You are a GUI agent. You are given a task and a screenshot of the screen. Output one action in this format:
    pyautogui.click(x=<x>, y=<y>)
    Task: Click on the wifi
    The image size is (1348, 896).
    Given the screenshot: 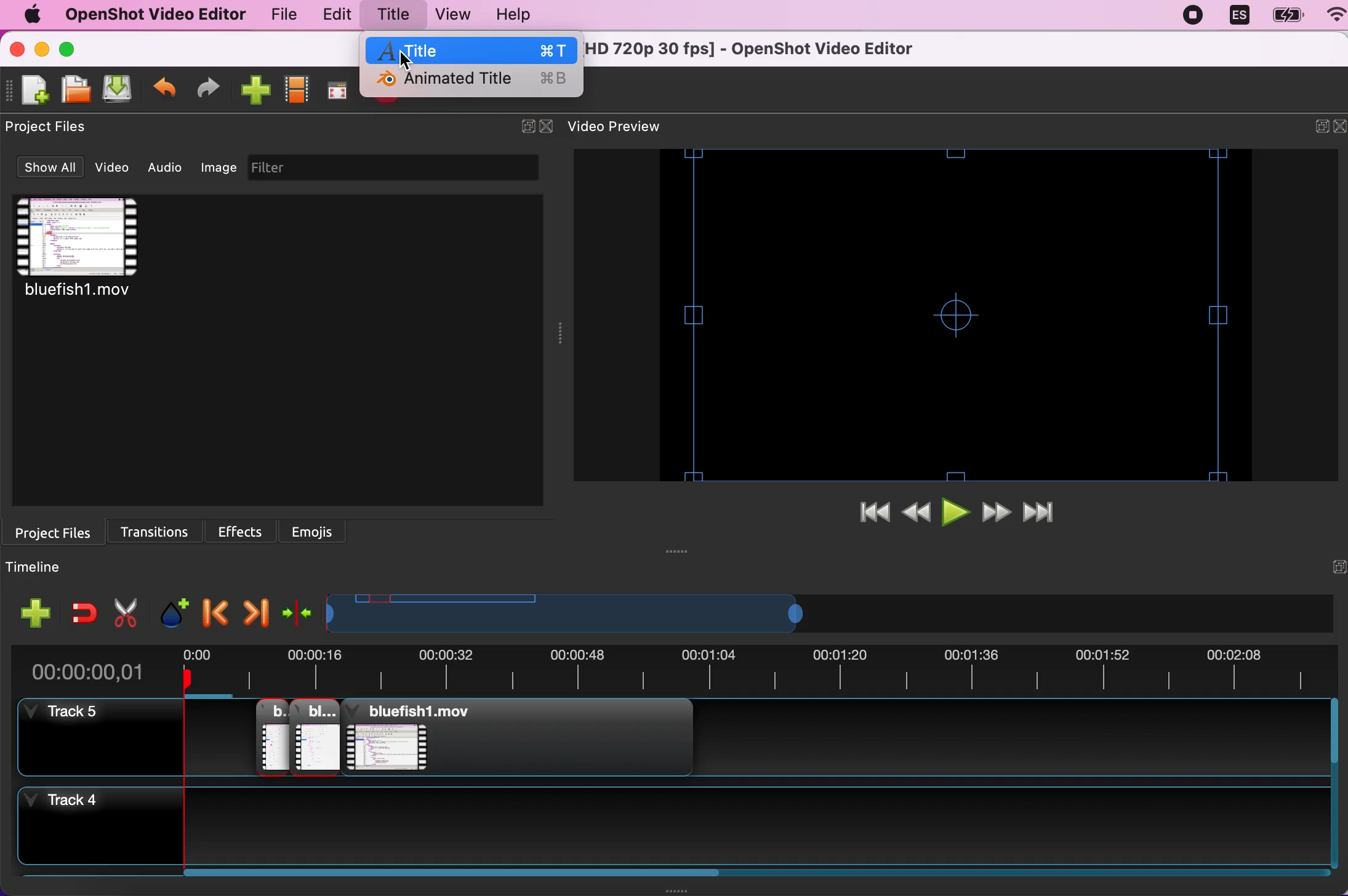 What is the action you would take?
    pyautogui.click(x=1330, y=17)
    